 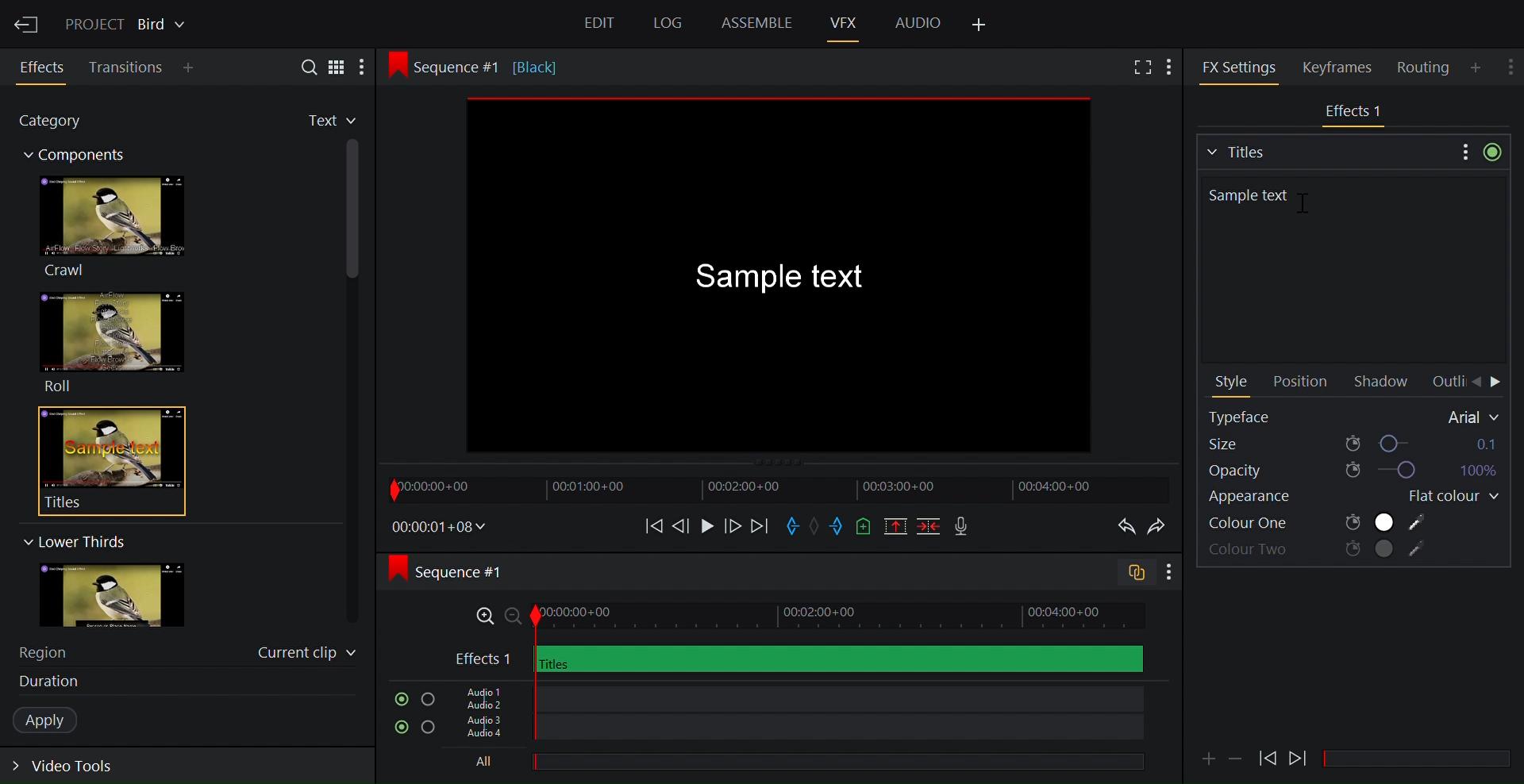 What do you see at coordinates (73, 769) in the screenshot?
I see `Expand video tools` at bounding box center [73, 769].